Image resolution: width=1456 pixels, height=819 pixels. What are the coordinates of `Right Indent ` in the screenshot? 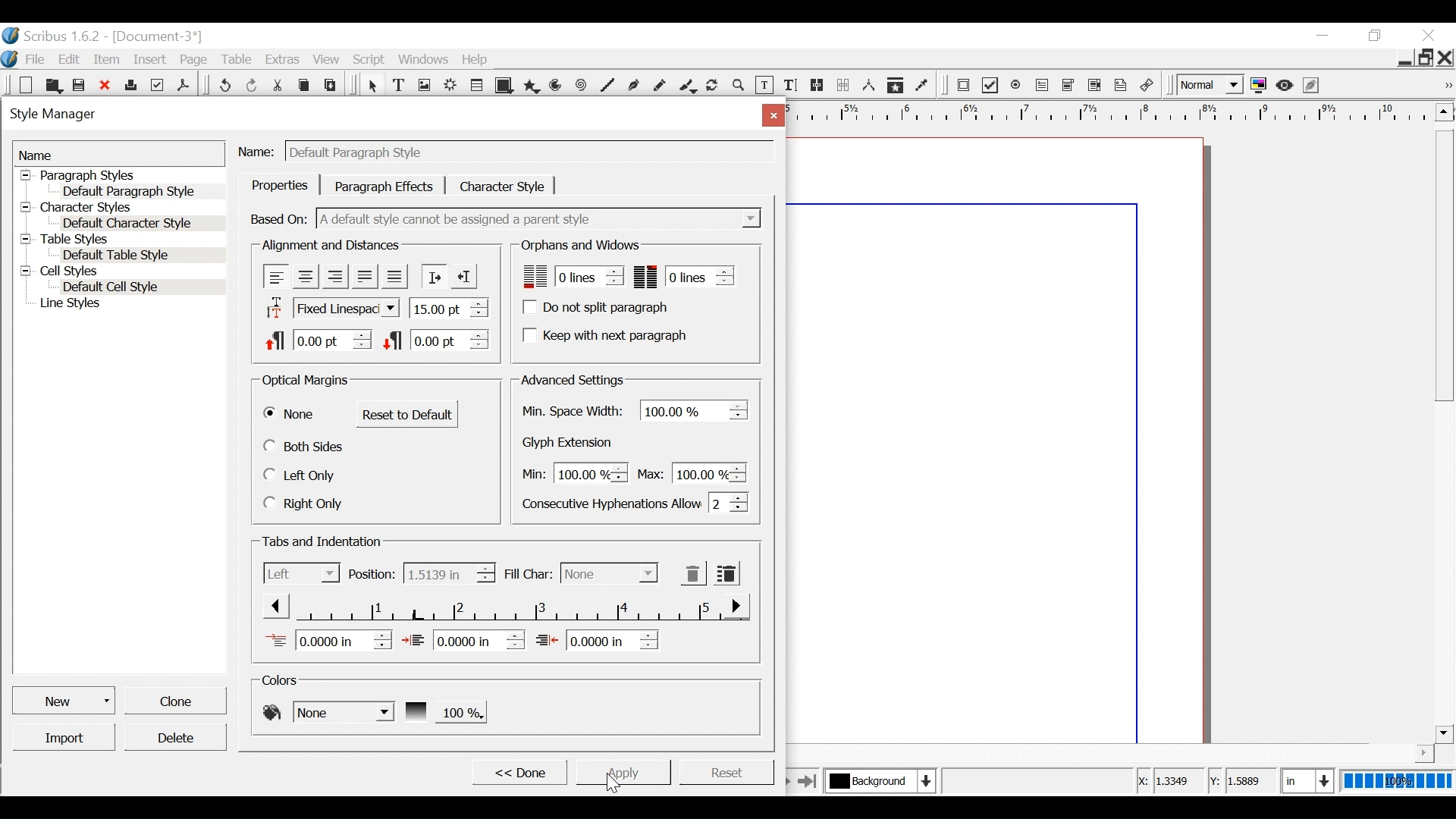 It's located at (597, 639).